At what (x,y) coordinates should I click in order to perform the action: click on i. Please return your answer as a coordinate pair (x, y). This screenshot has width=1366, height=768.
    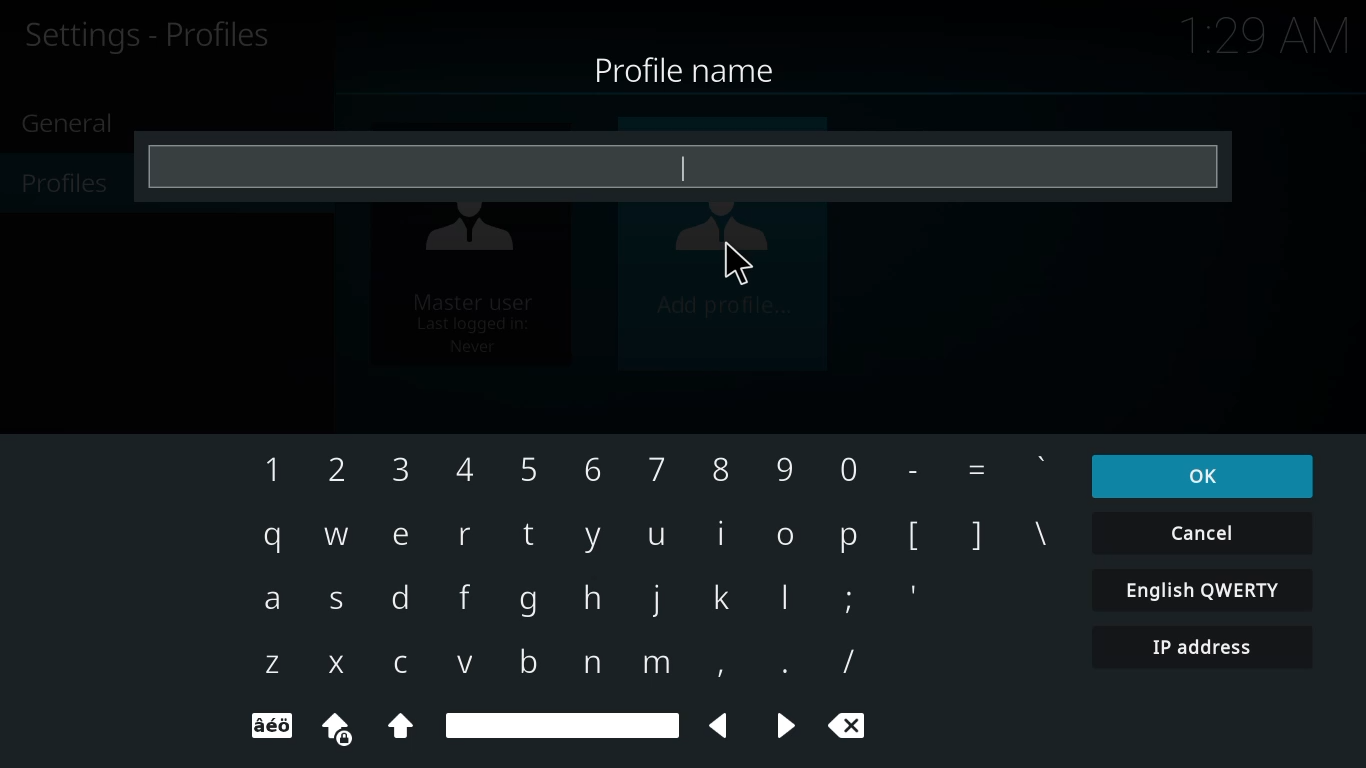
    Looking at the image, I should click on (722, 531).